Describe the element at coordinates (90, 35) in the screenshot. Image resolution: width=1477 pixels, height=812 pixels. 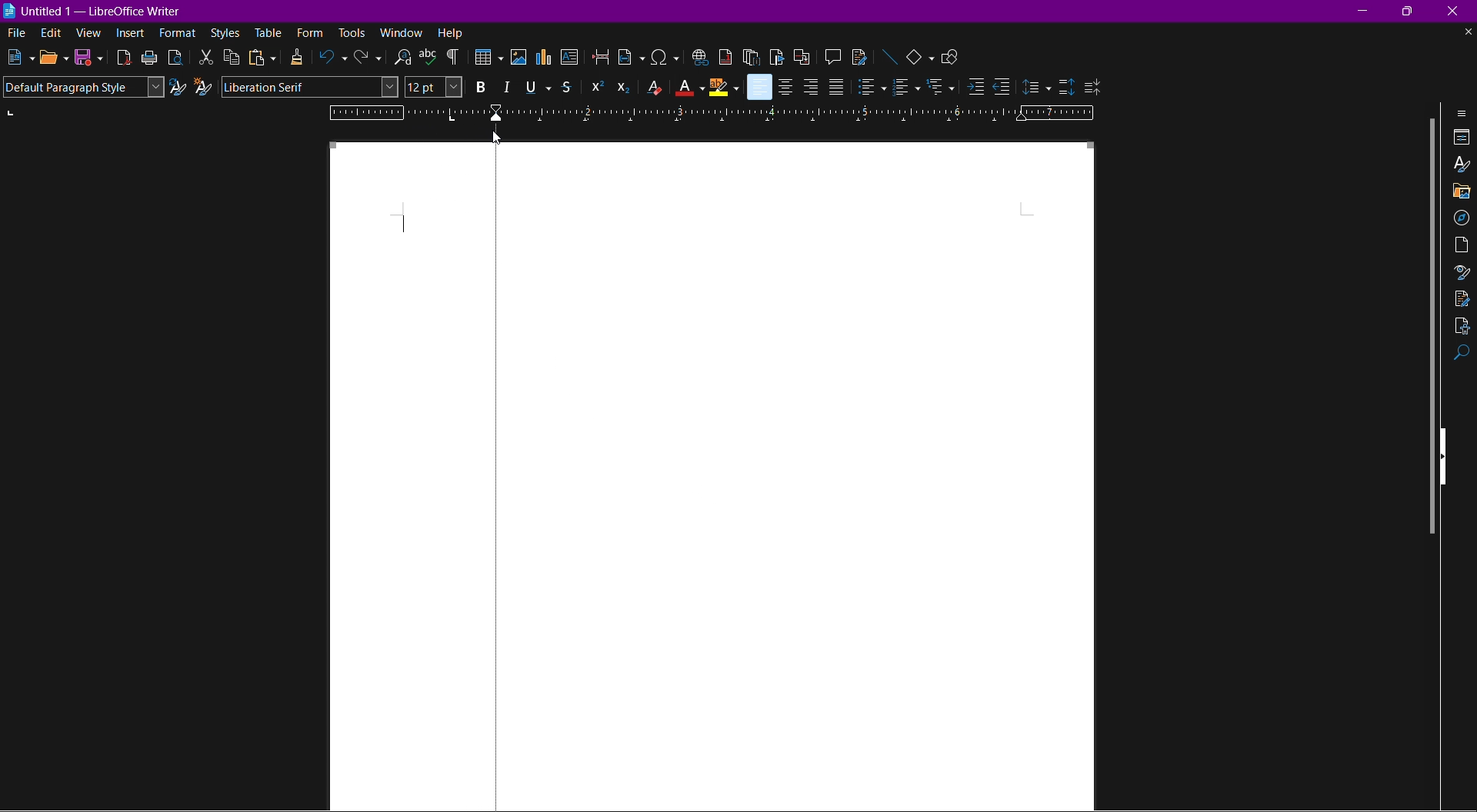
I see `view` at that location.